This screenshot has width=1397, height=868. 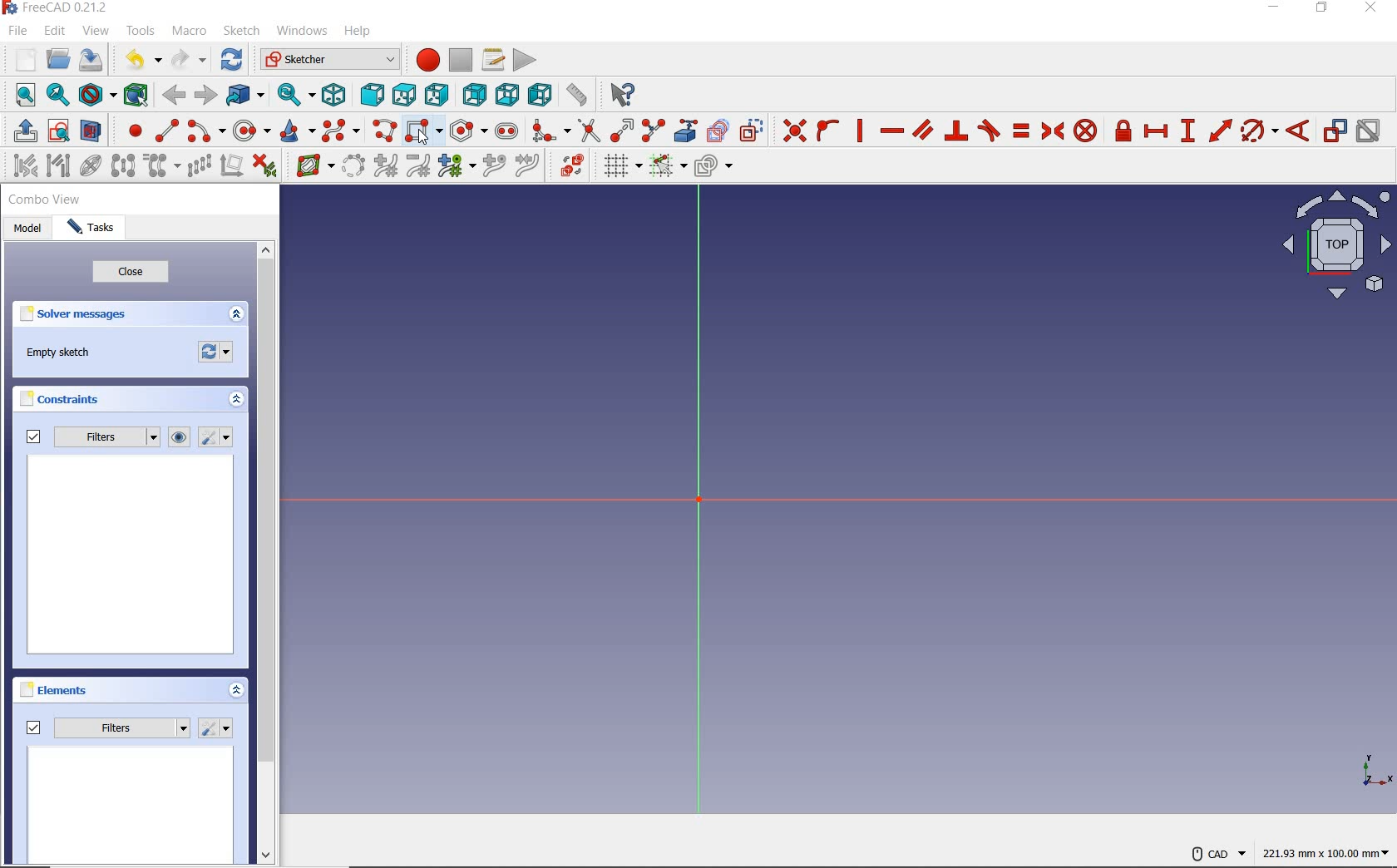 What do you see at coordinates (718, 131) in the screenshot?
I see `create carbon copy` at bounding box center [718, 131].